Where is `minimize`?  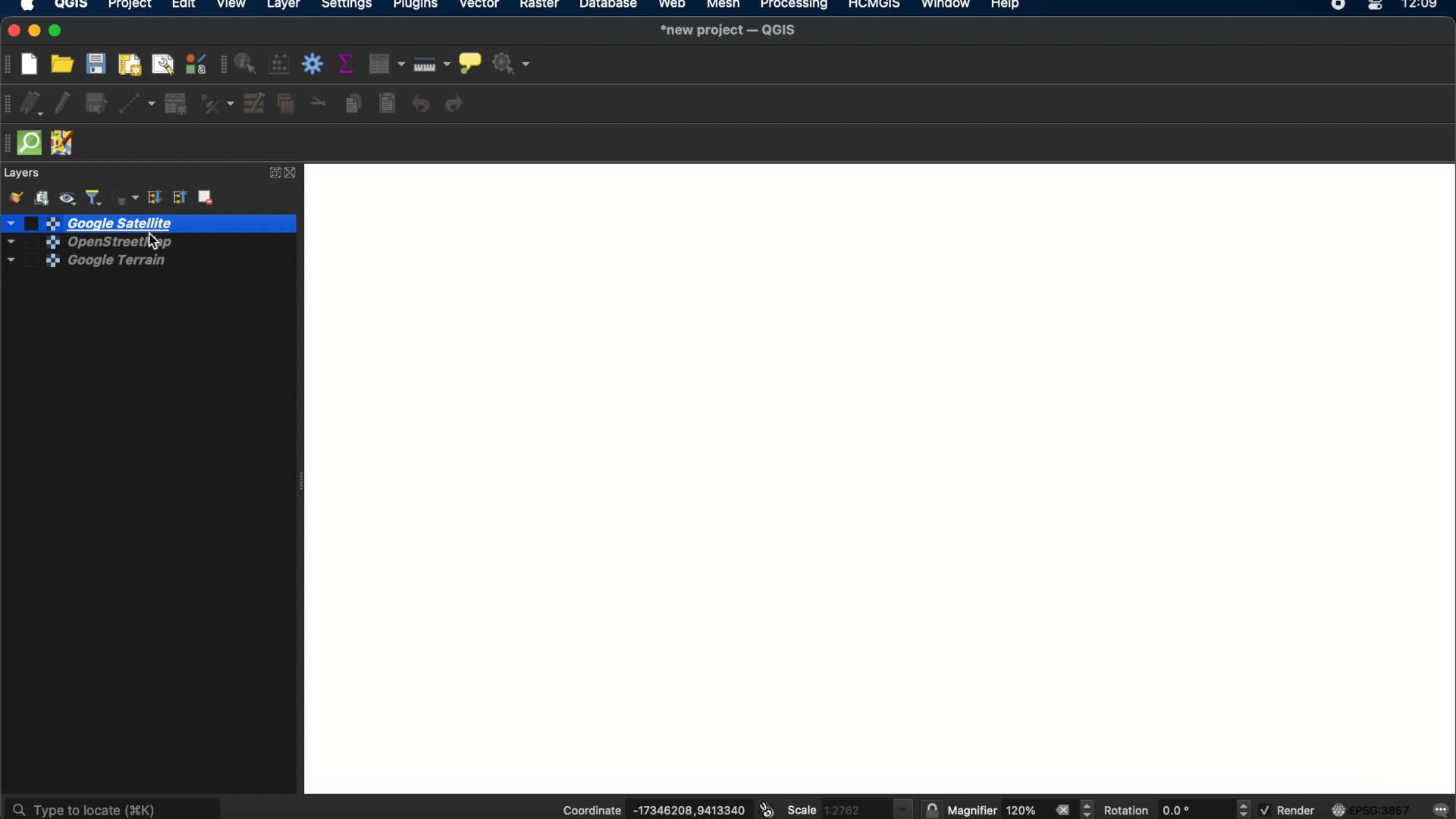
minimize is located at coordinates (36, 31).